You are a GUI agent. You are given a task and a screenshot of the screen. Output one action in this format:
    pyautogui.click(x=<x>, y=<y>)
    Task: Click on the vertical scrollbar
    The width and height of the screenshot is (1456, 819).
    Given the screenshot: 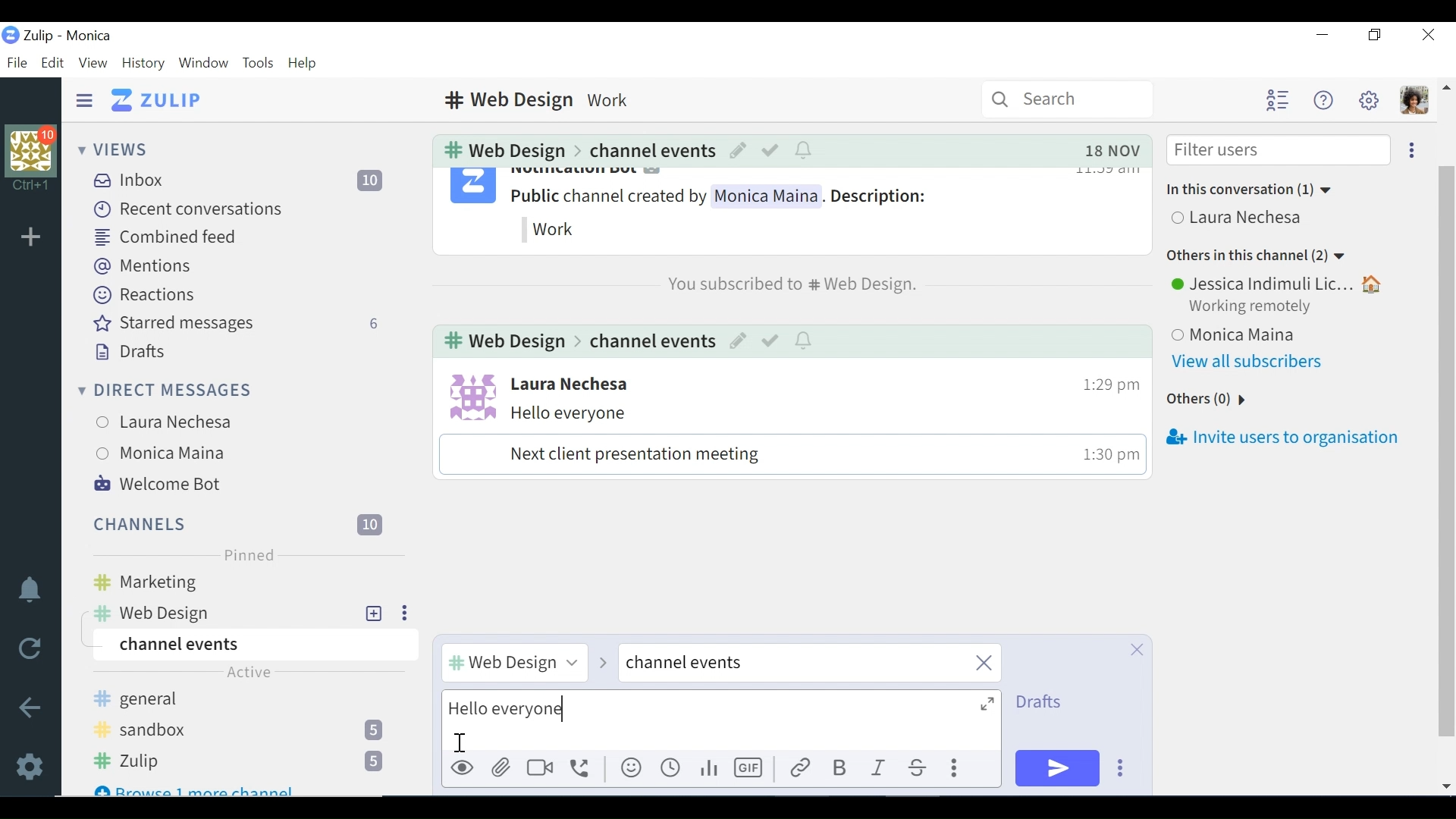 What is the action you would take?
    pyautogui.click(x=1451, y=438)
    